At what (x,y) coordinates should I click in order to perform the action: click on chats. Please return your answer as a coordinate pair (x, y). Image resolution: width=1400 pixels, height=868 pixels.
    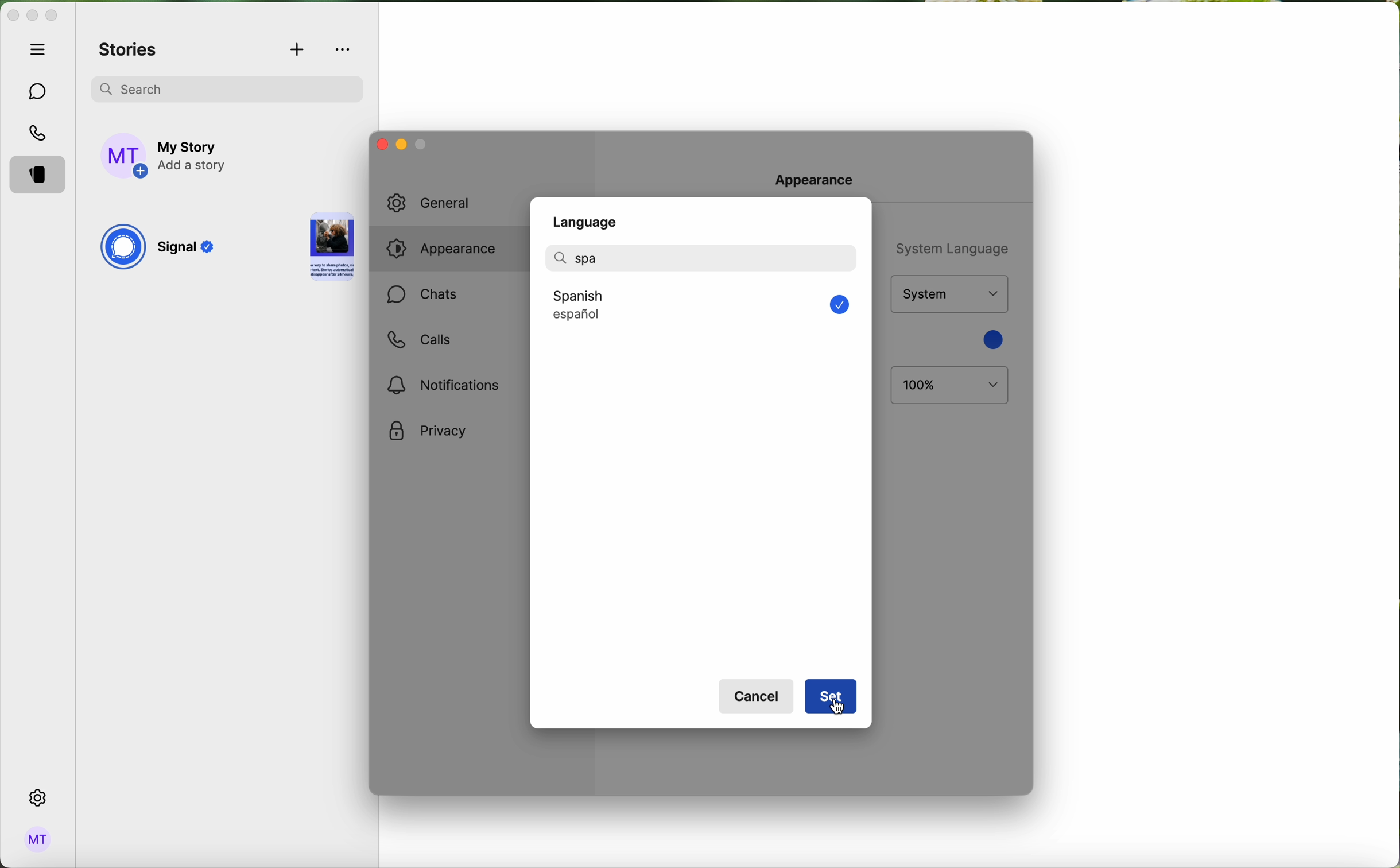
    Looking at the image, I should click on (38, 92).